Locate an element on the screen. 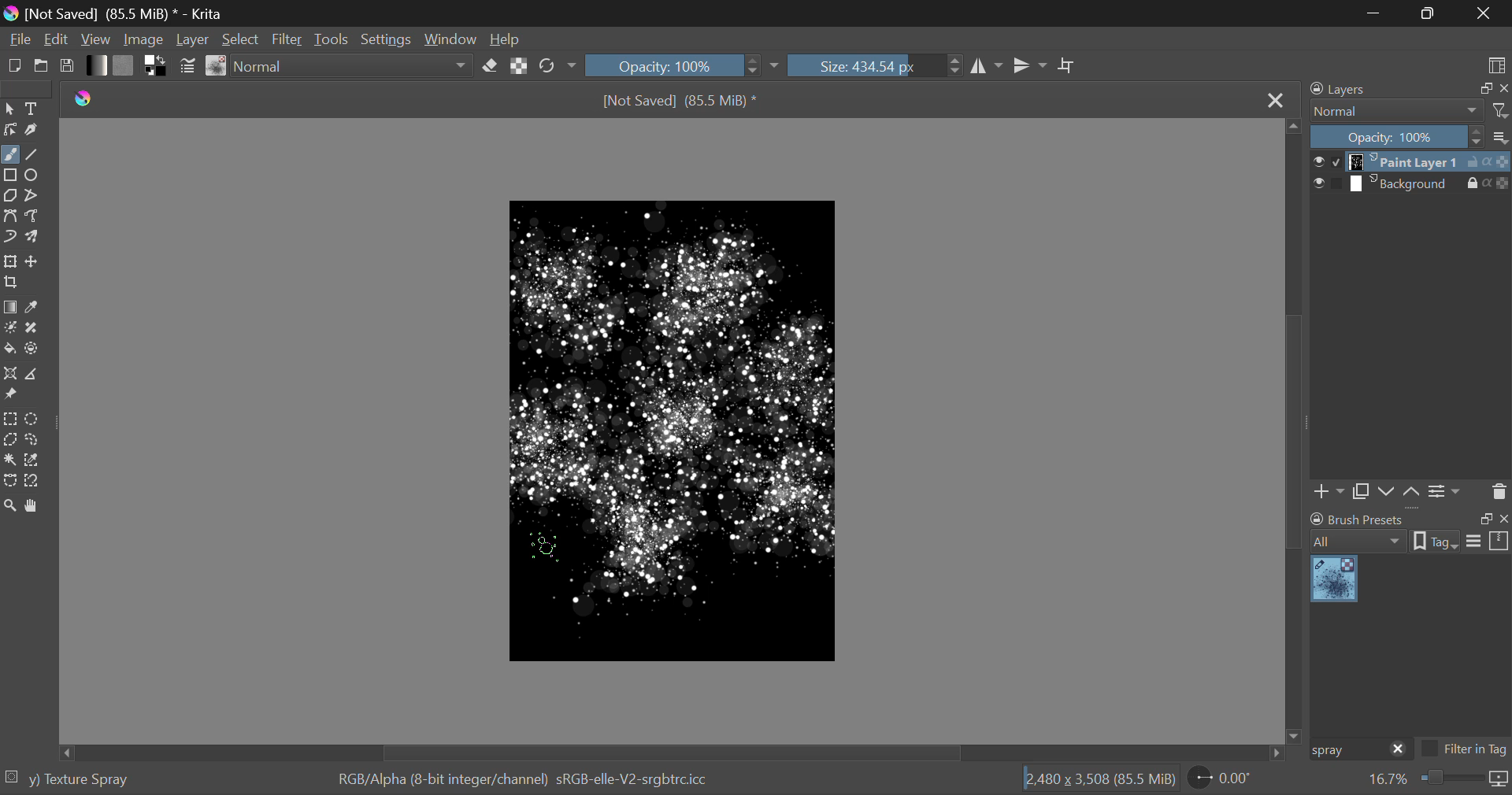 The width and height of the screenshot is (1512, 795). brush presets  is located at coordinates (1358, 519).